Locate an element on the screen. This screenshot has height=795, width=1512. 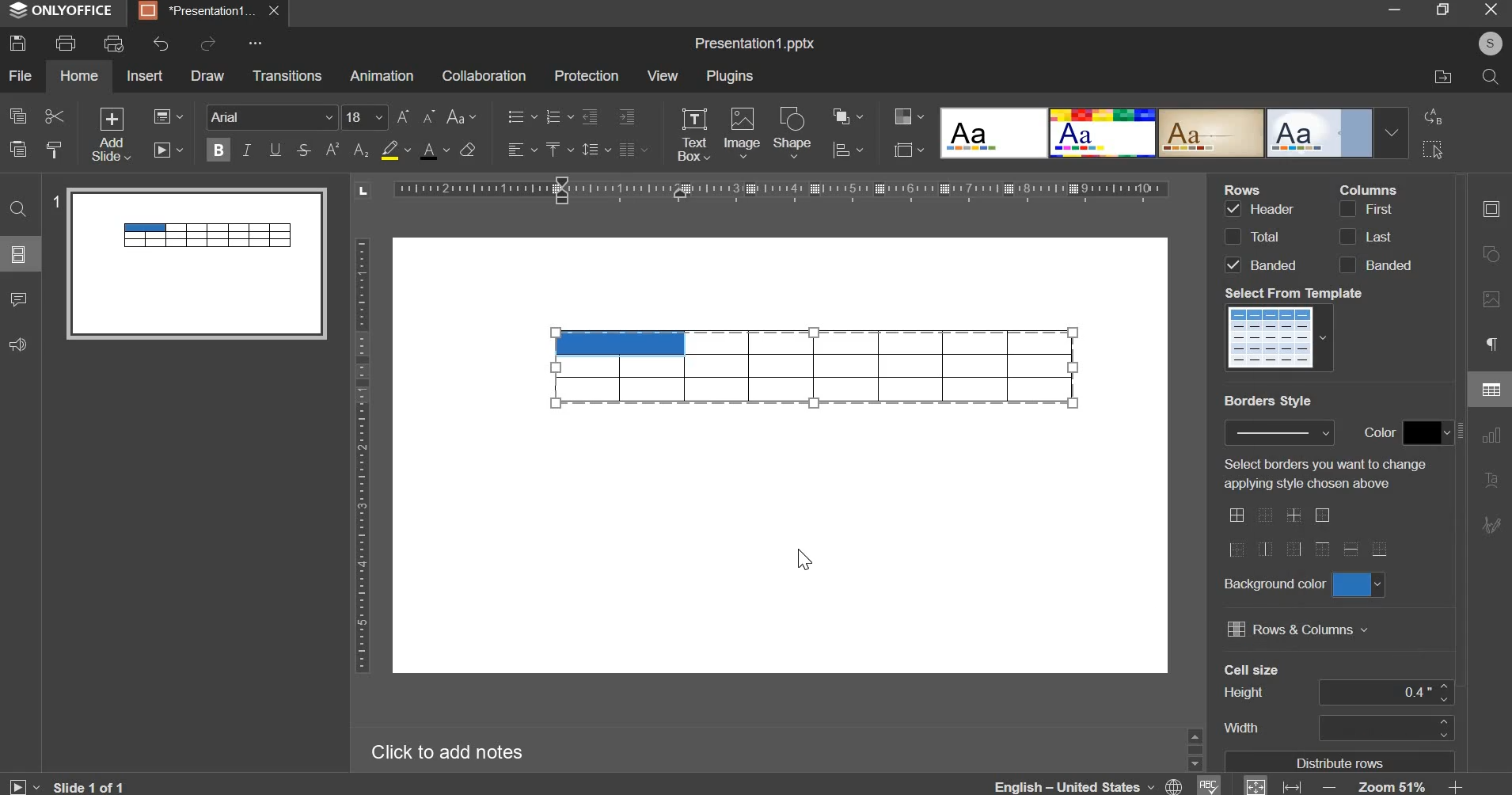
draw is located at coordinates (208, 75).